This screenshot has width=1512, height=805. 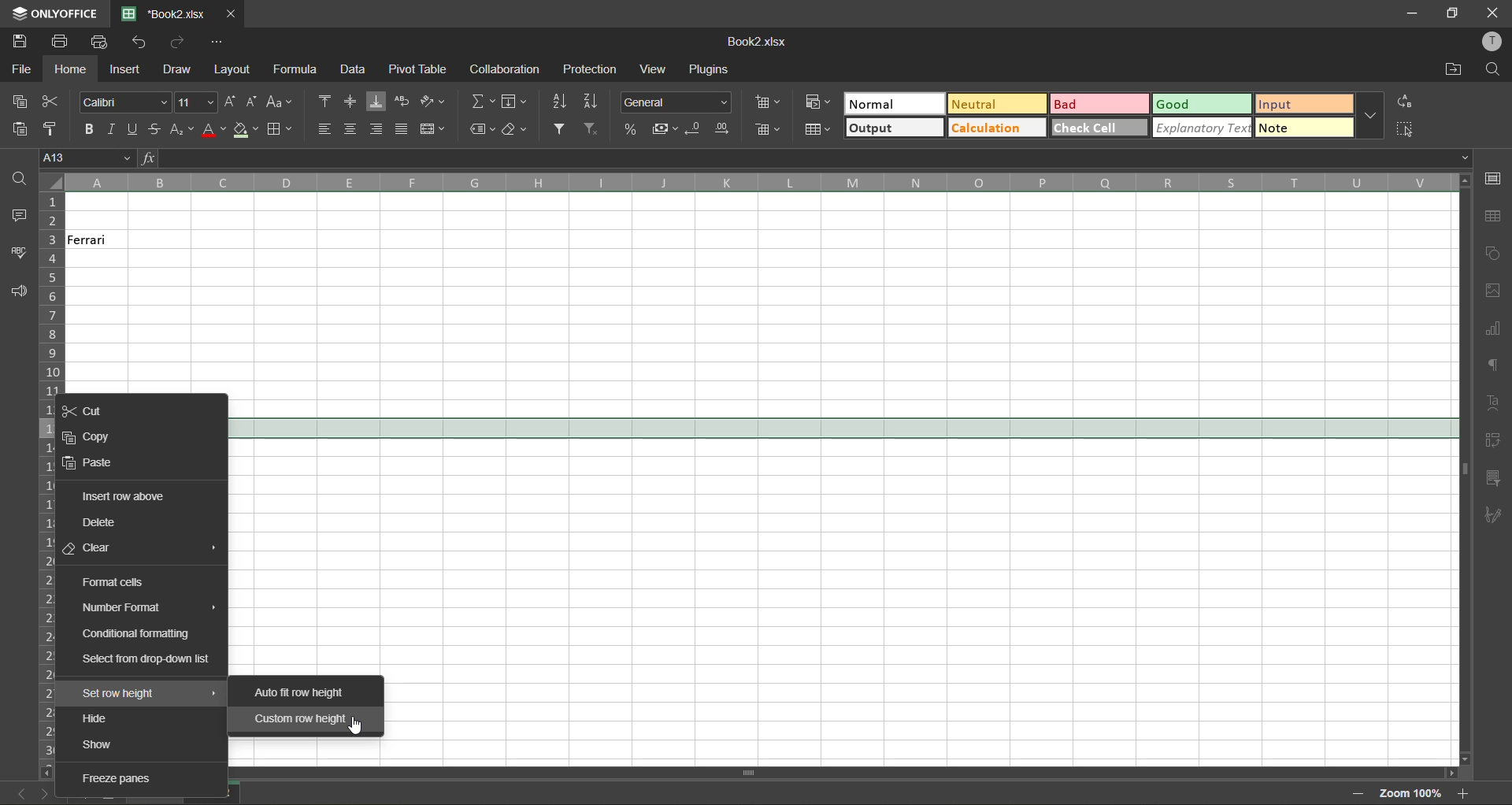 What do you see at coordinates (61, 41) in the screenshot?
I see `print` at bounding box center [61, 41].